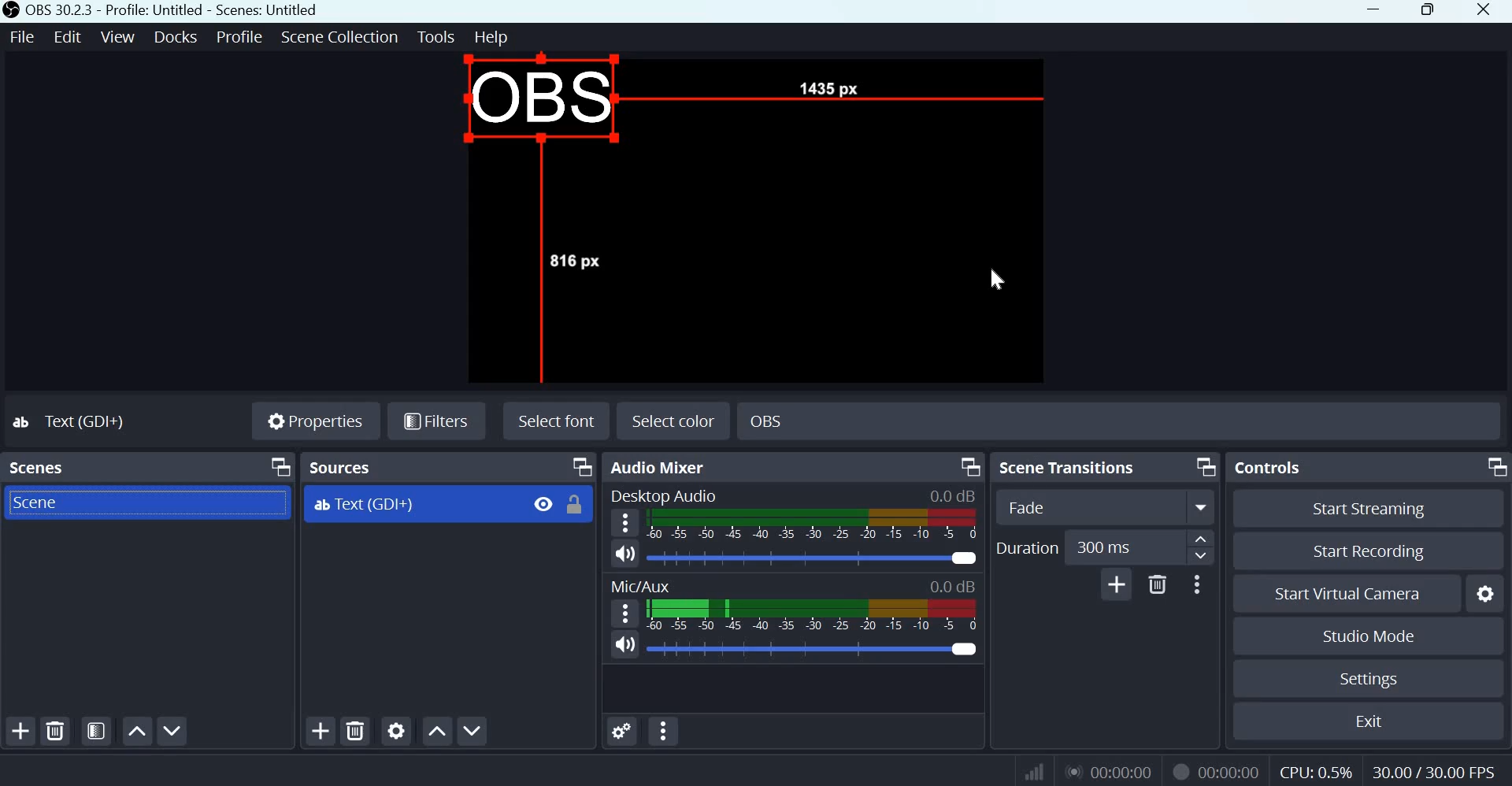 The image size is (1512, 786). What do you see at coordinates (626, 554) in the screenshot?
I see `Speaker icon` at bounding box center [626, 554].